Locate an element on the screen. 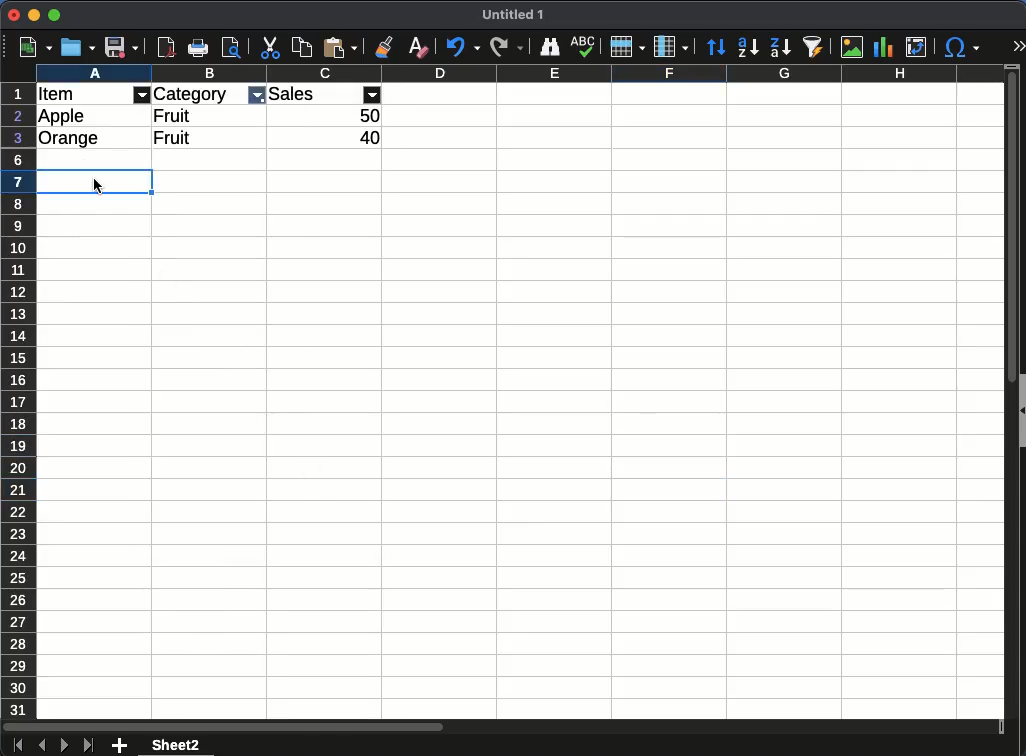  first sheet is located at coordinates (17, 746).